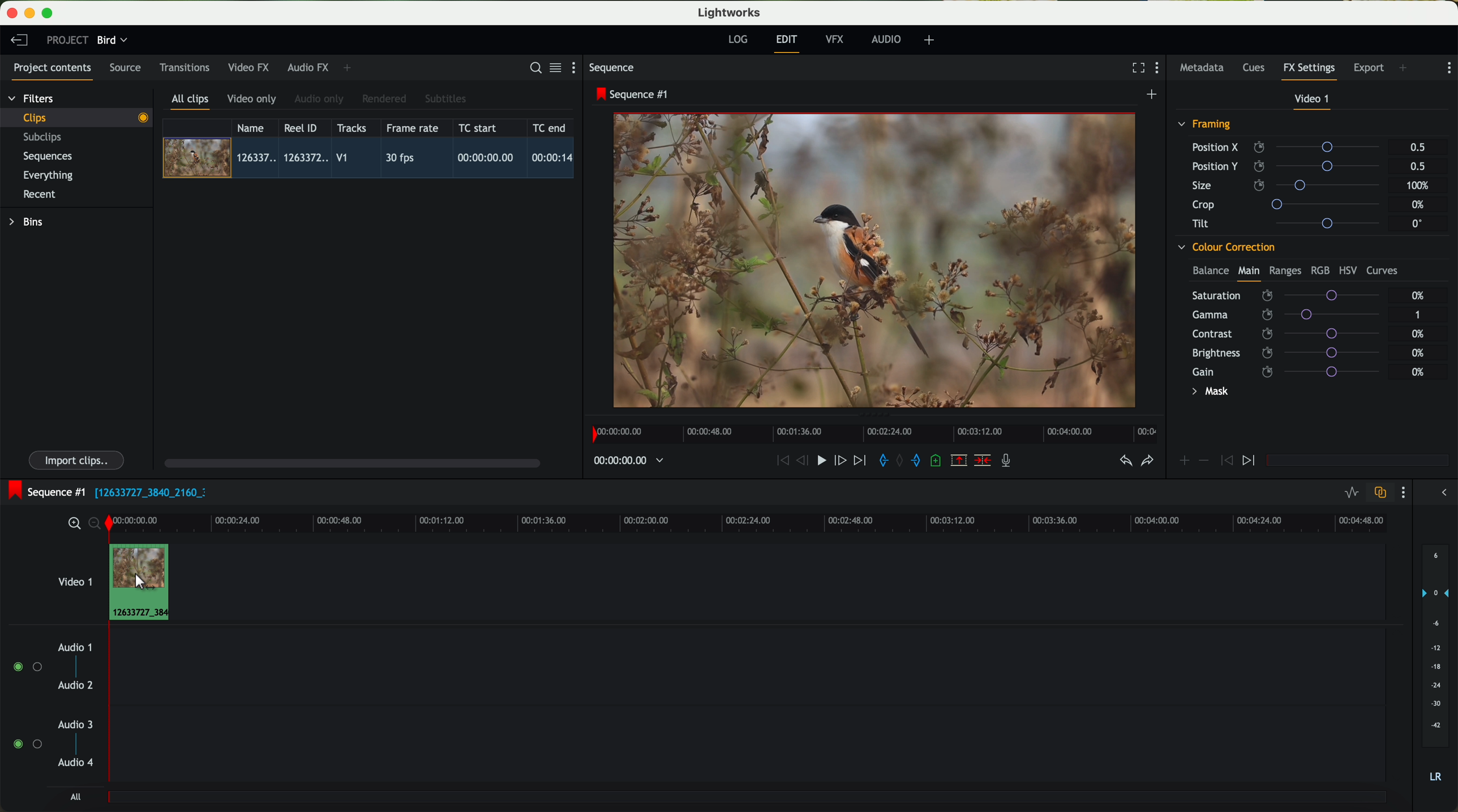 This screenshot has height=812, width=1458. I want to click on frame rate, so click(413, 128).